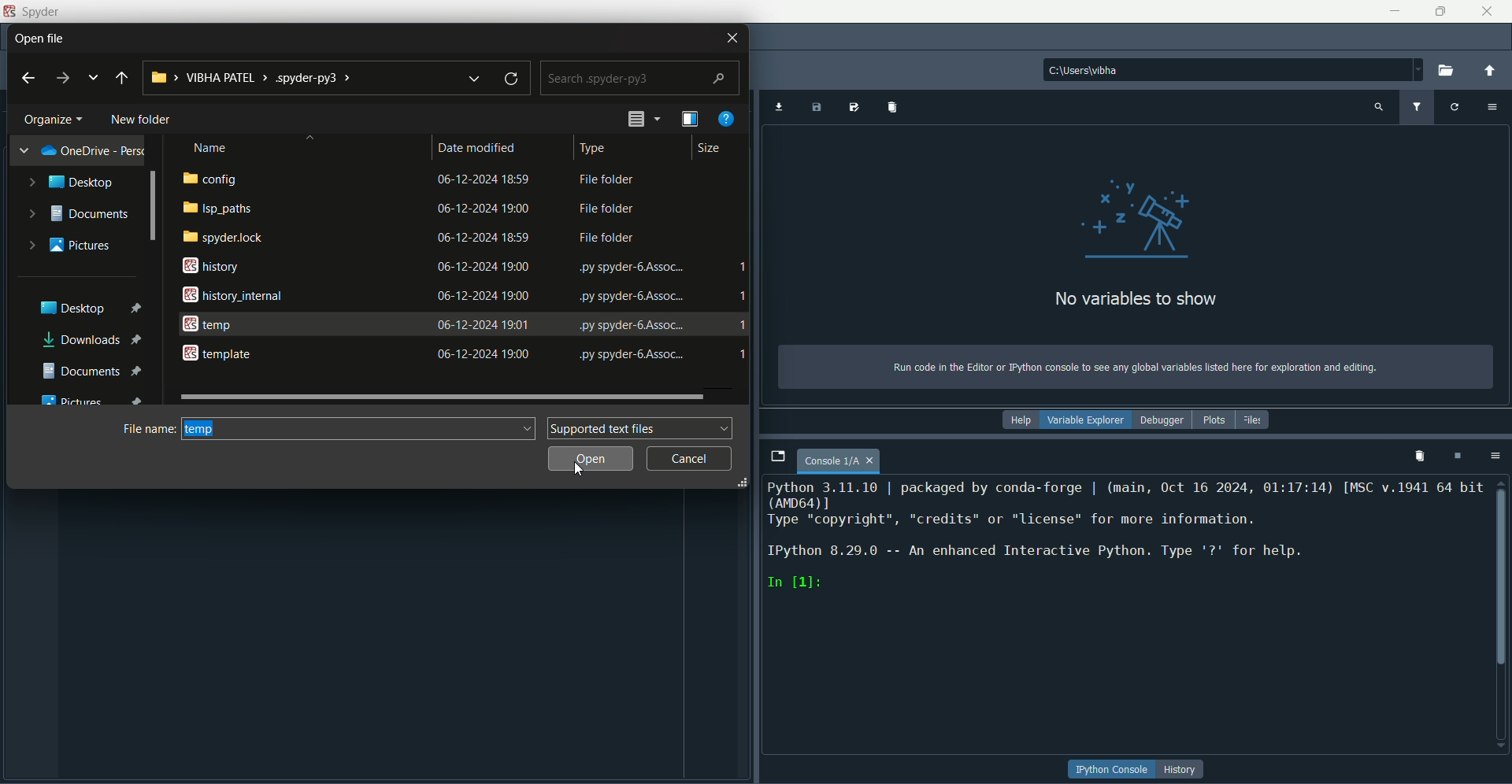 The image size is (1512, 784). What do you see at coordinates (213, 146) in the screenshot?
I see `name` at bounding box center [213, 146].